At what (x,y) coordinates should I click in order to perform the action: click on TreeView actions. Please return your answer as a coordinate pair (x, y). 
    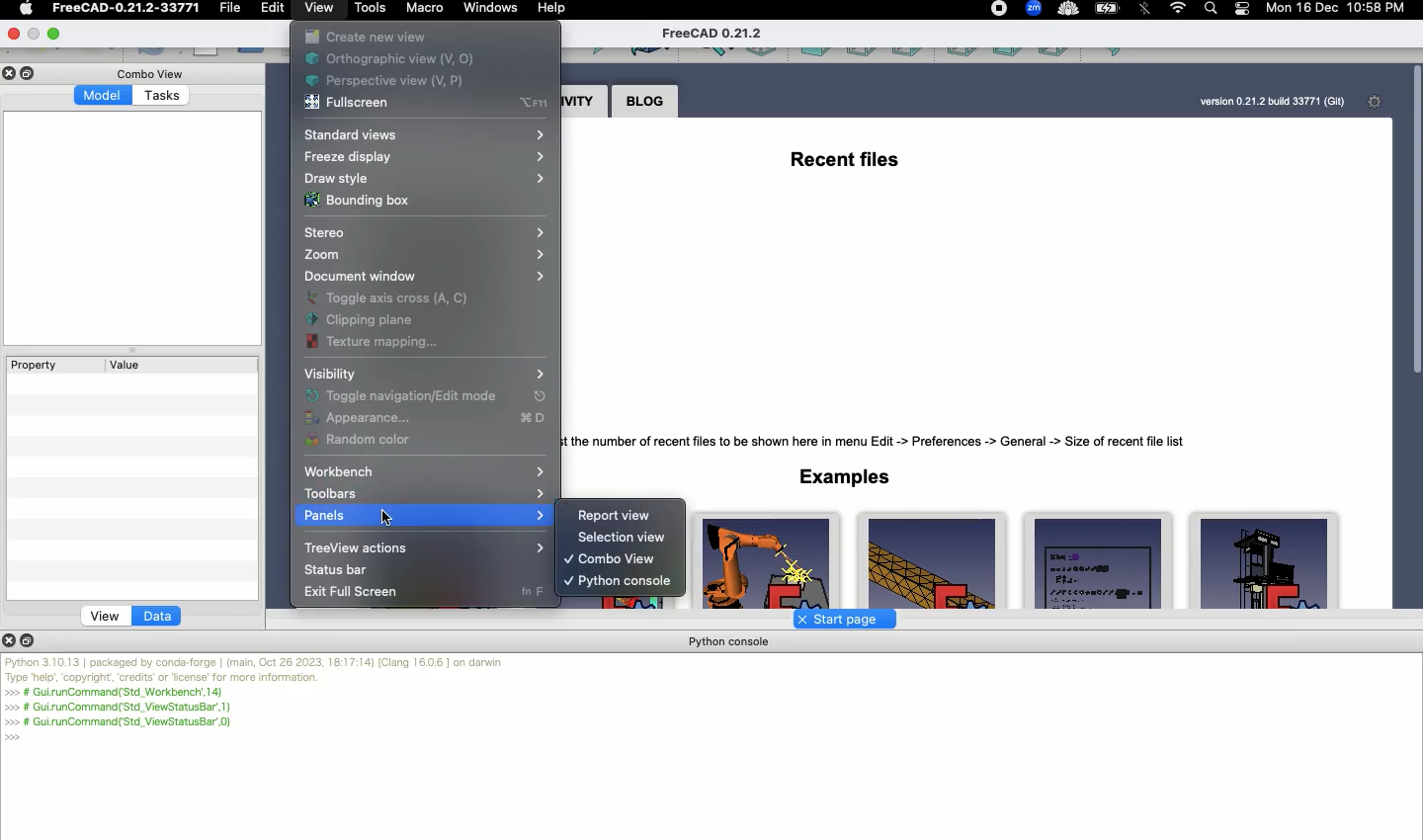
    Looking at the image, I should click on (422, 546).